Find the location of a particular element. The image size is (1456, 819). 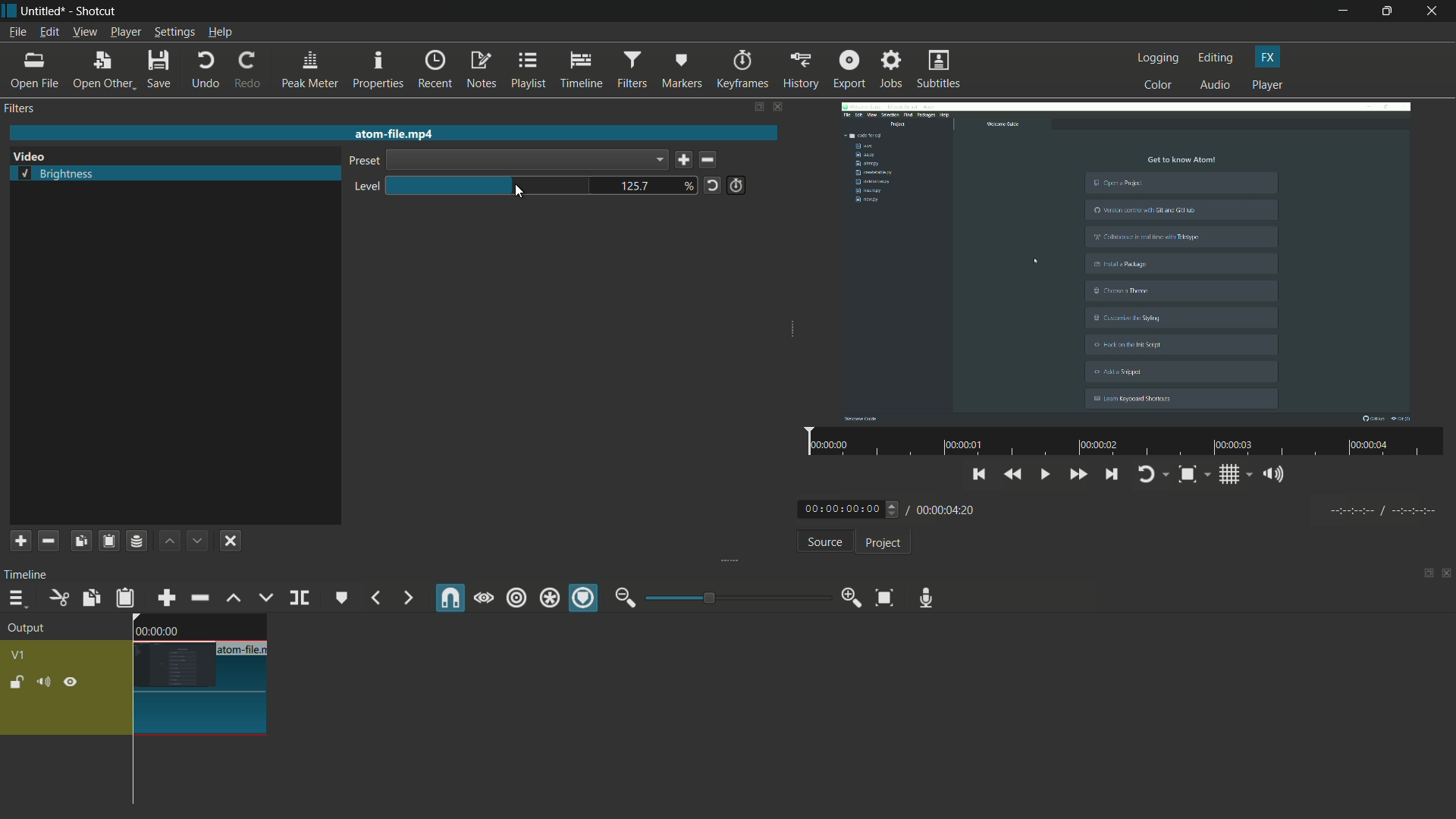

subtitles is located at coordinates (940, 71).